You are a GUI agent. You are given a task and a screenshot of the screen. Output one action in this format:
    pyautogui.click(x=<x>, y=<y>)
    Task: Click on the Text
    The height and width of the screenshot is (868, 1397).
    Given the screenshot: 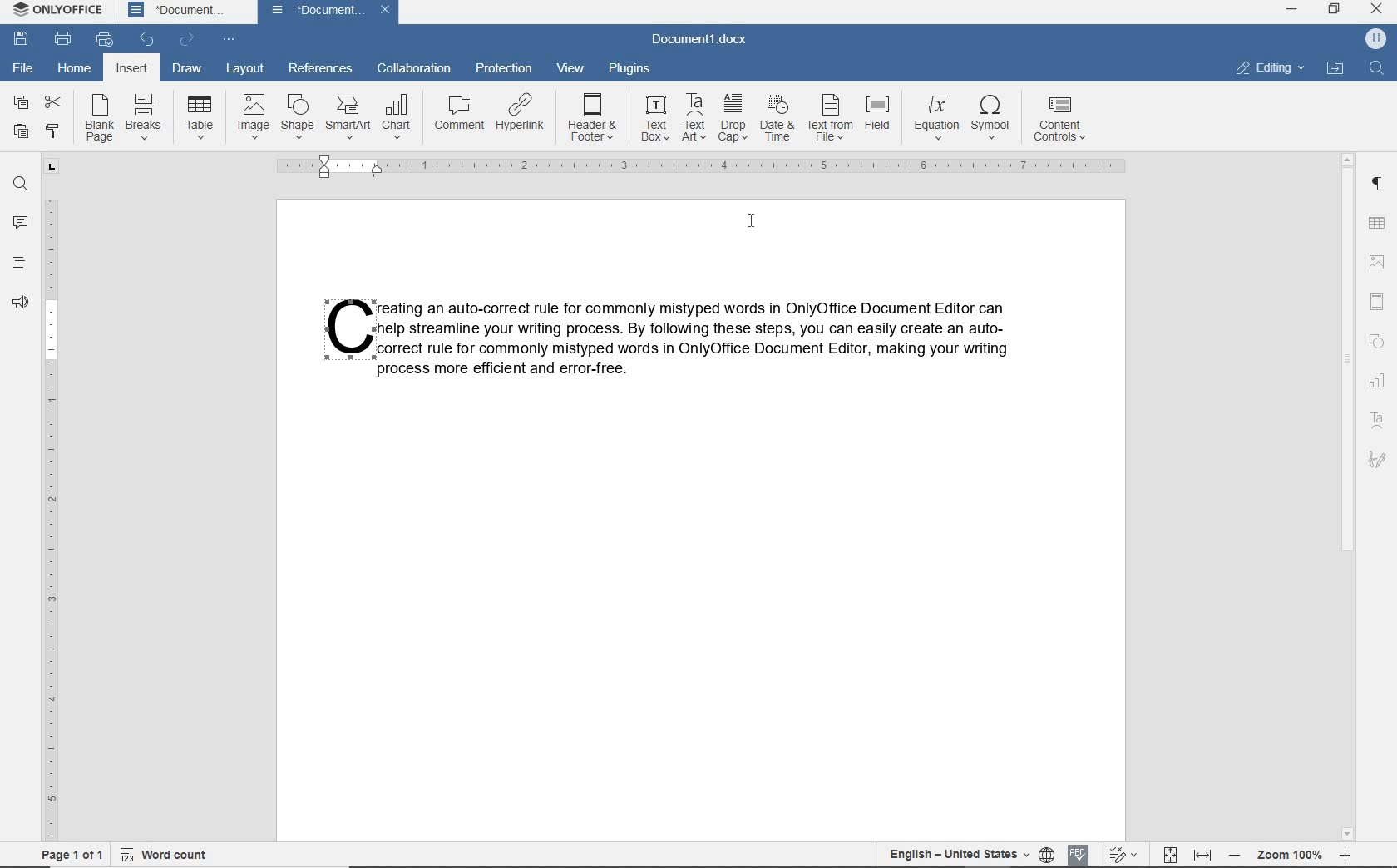 What is the action you would take?
    pyautogui.click(x=703, y=338)
    